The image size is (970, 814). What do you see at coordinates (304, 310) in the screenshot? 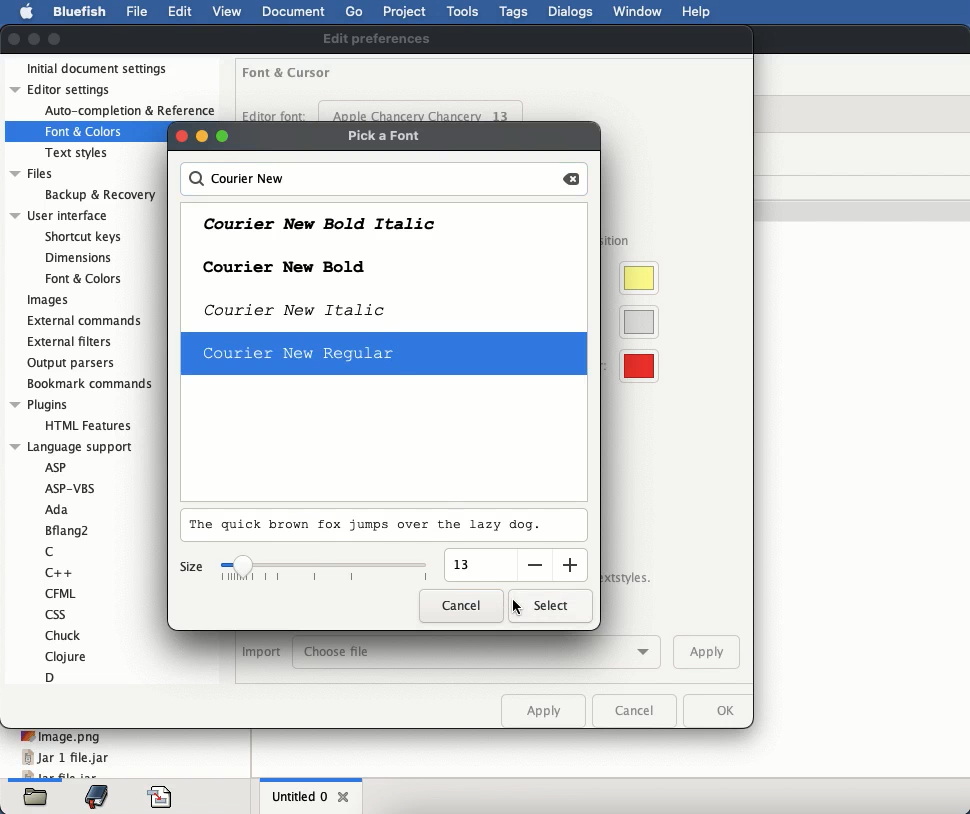
I see `courier new italic` at bounding box center [304, 310].